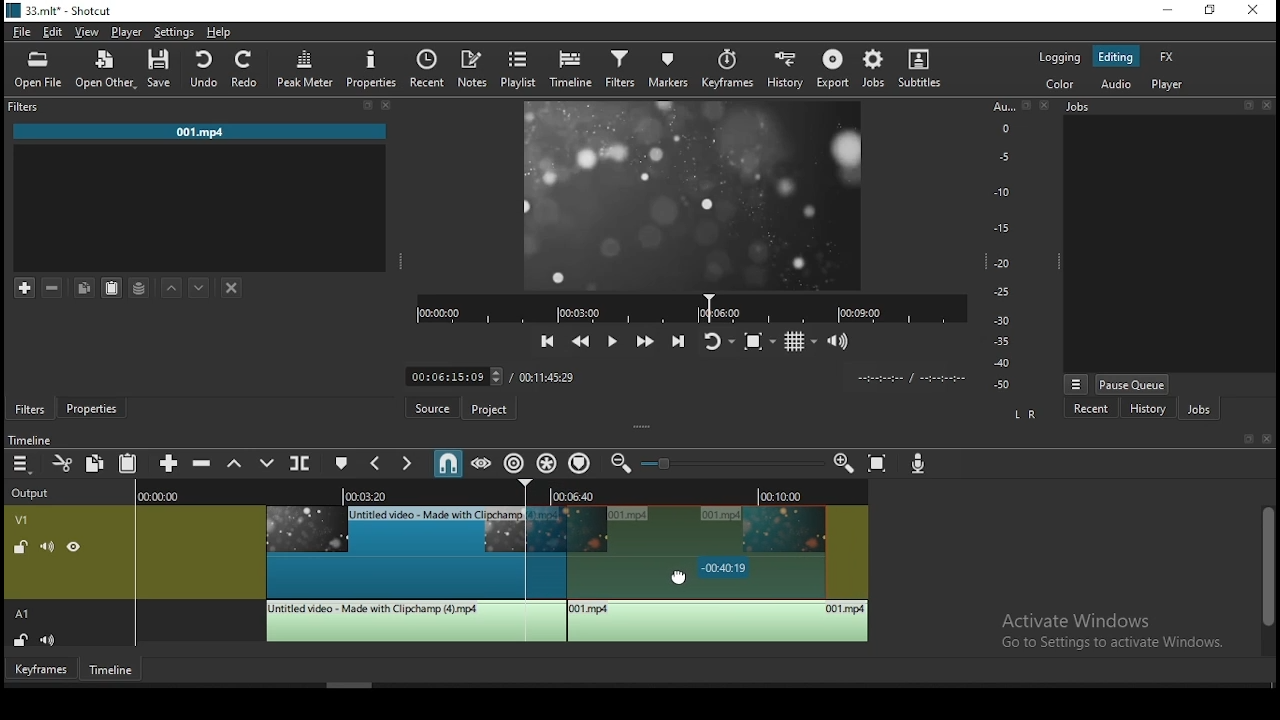 Image resolution: width=1280 pixels, height=720 pixels. What do you see at coordinates (175, 286) in the screenshot?
I see `move filter up` at bounding box center [175, 286].